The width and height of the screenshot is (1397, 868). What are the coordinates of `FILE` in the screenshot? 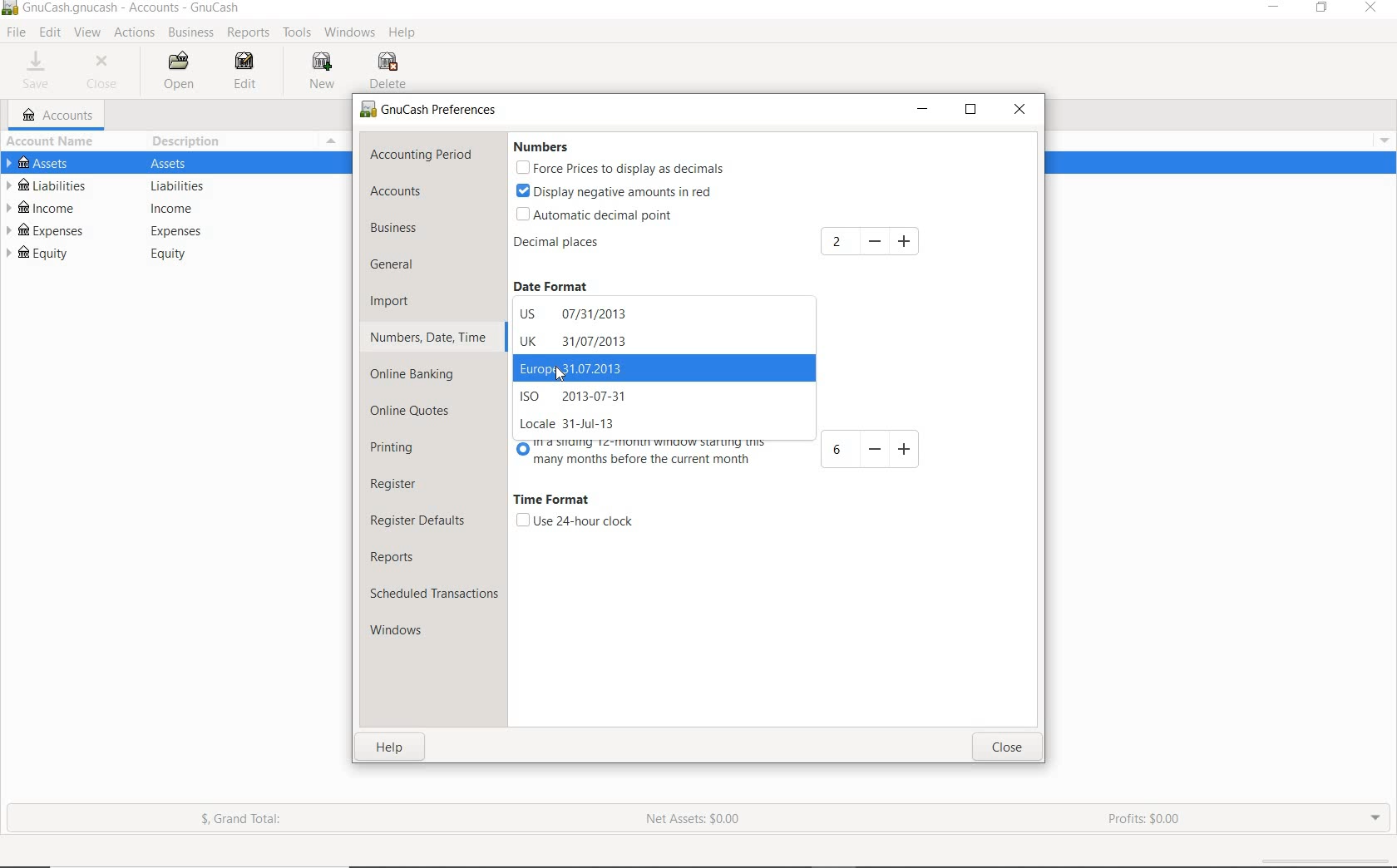 It's located at (17, 32).